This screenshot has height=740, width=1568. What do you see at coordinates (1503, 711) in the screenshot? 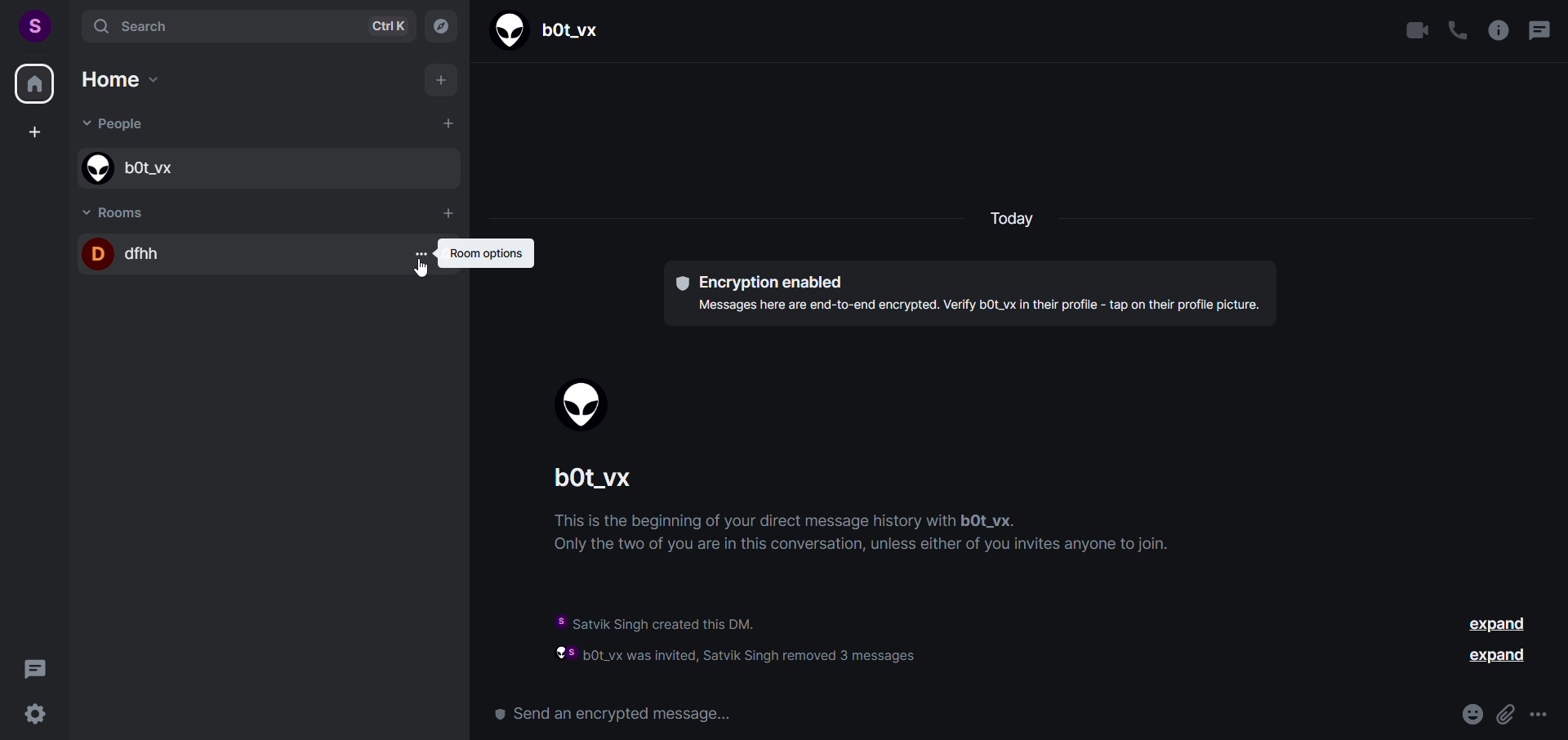
I see `attachment` at bounding box center [1503, 711].